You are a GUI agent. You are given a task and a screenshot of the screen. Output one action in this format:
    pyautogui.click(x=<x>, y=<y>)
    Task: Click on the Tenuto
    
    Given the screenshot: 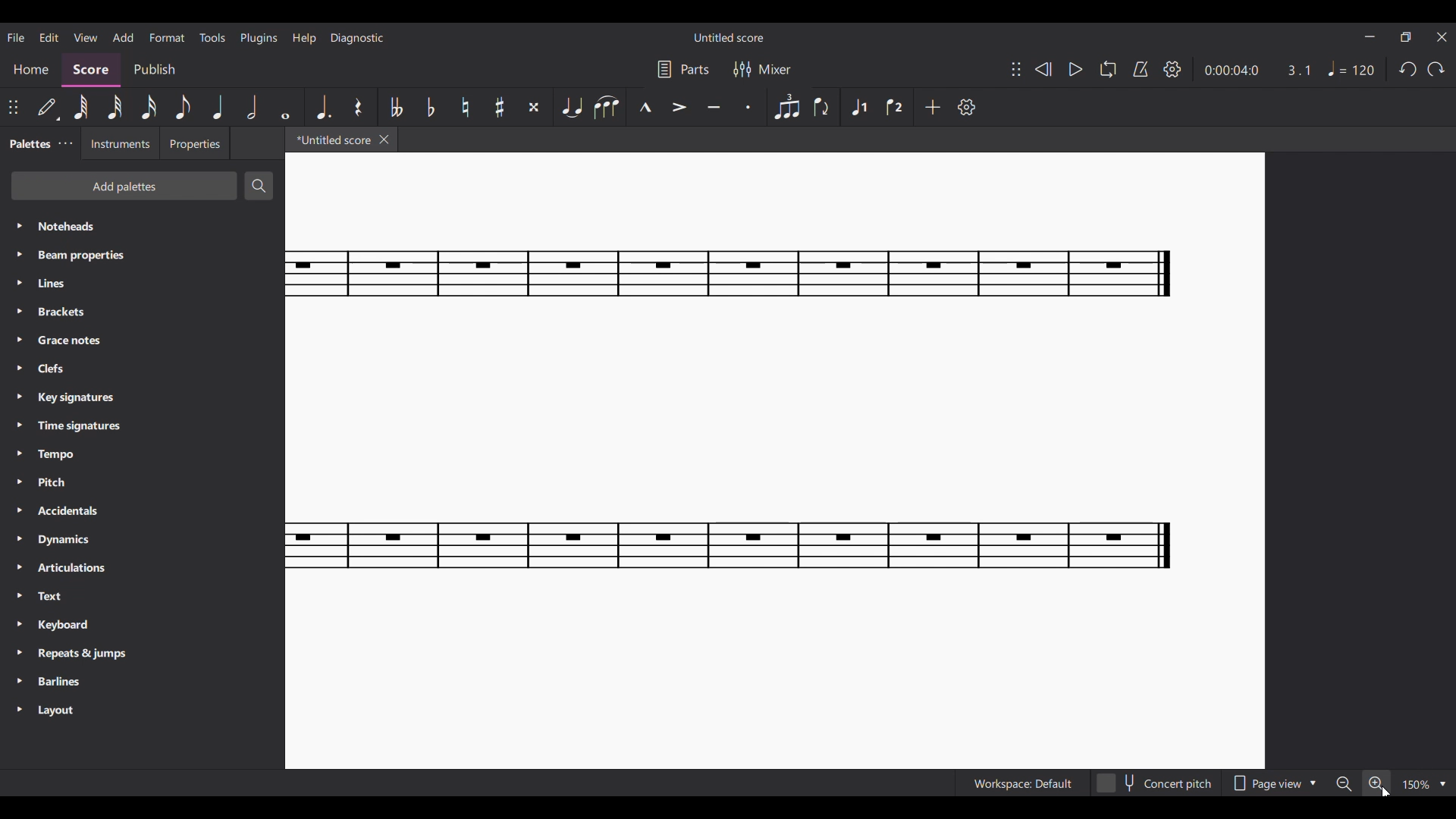 What is the action you would take?
    pyautogui.click(x=714, y=108)
    